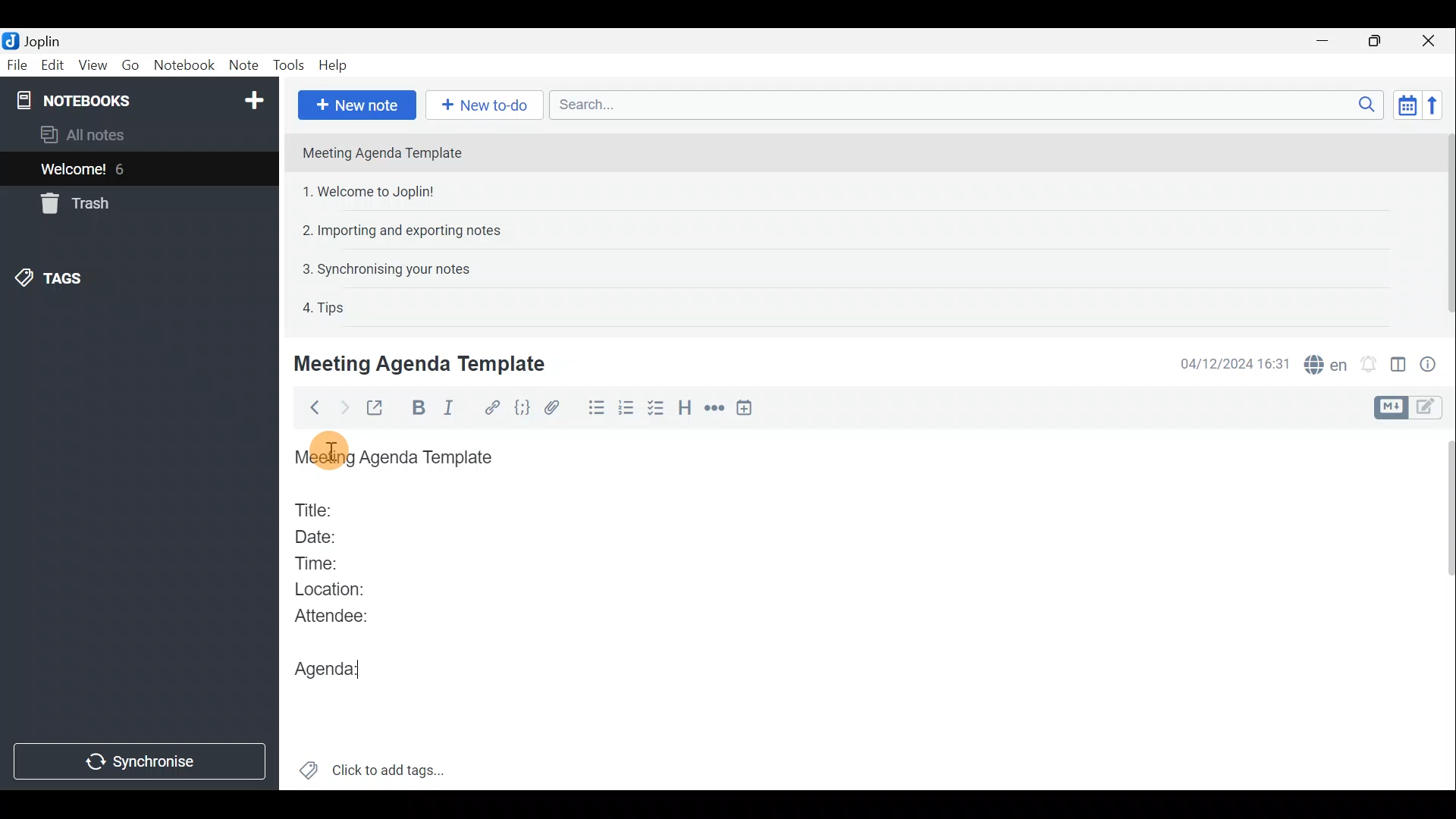 This screenshot has height=819, width=1456. What do you see at coordinates (42, 40) in the screenshot?
I see `Joplin` at bounding box center [42, 40].